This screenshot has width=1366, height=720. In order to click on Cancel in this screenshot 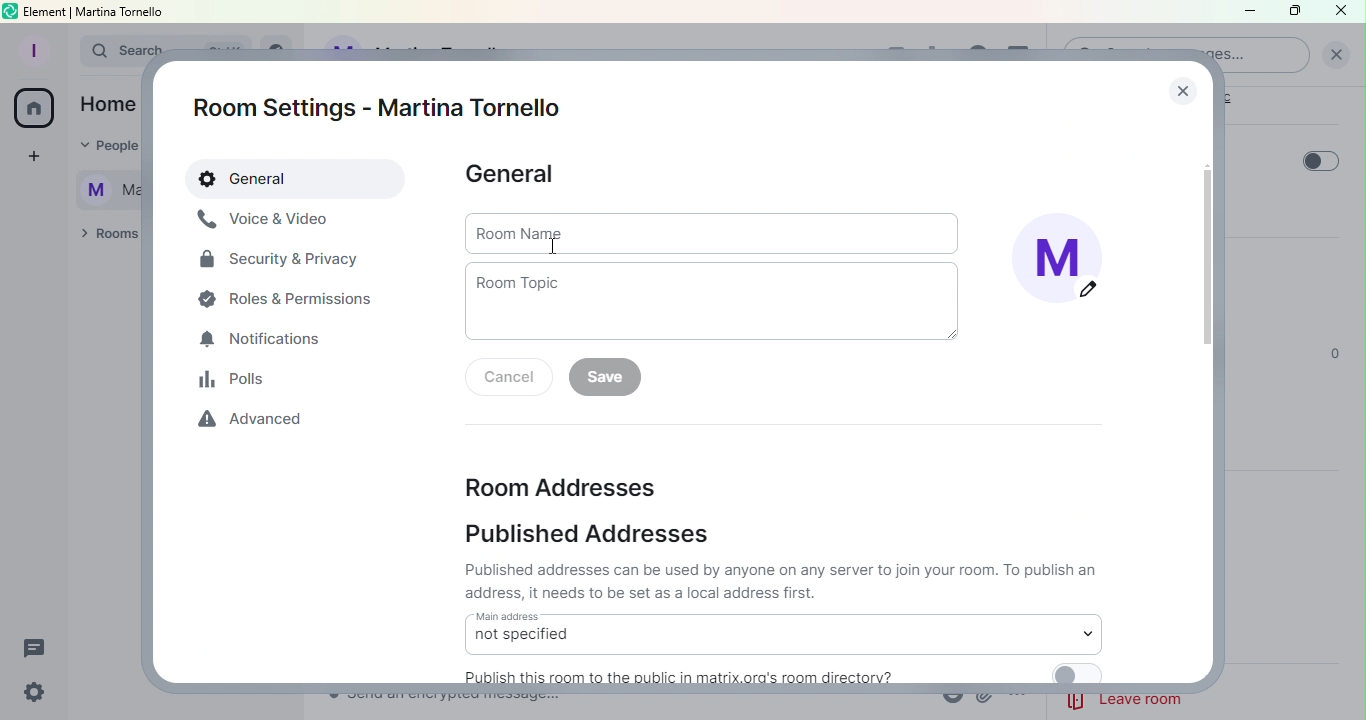, I will do `click(513, 381)`.